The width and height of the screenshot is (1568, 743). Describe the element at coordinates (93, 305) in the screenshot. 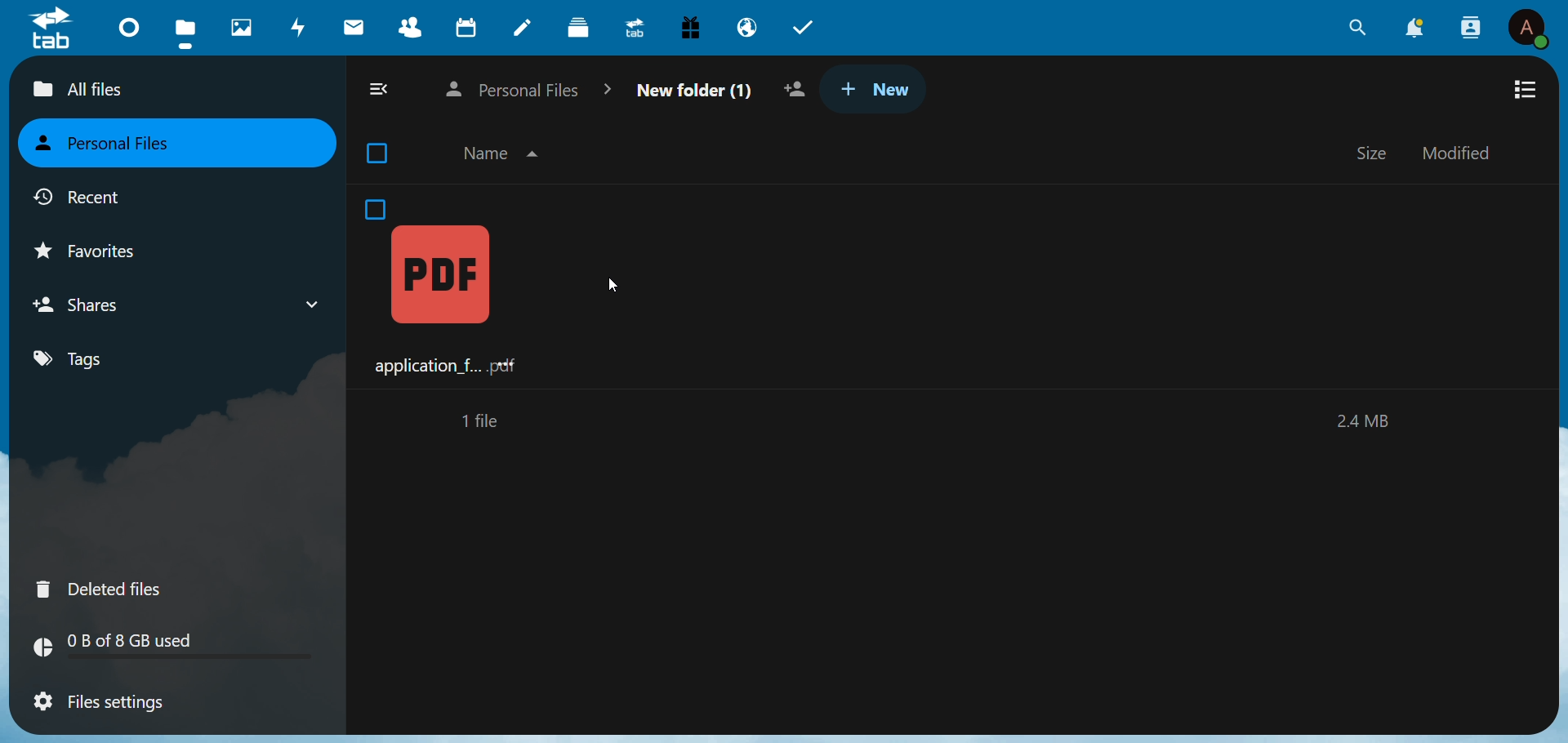

I see `shares` at that location.